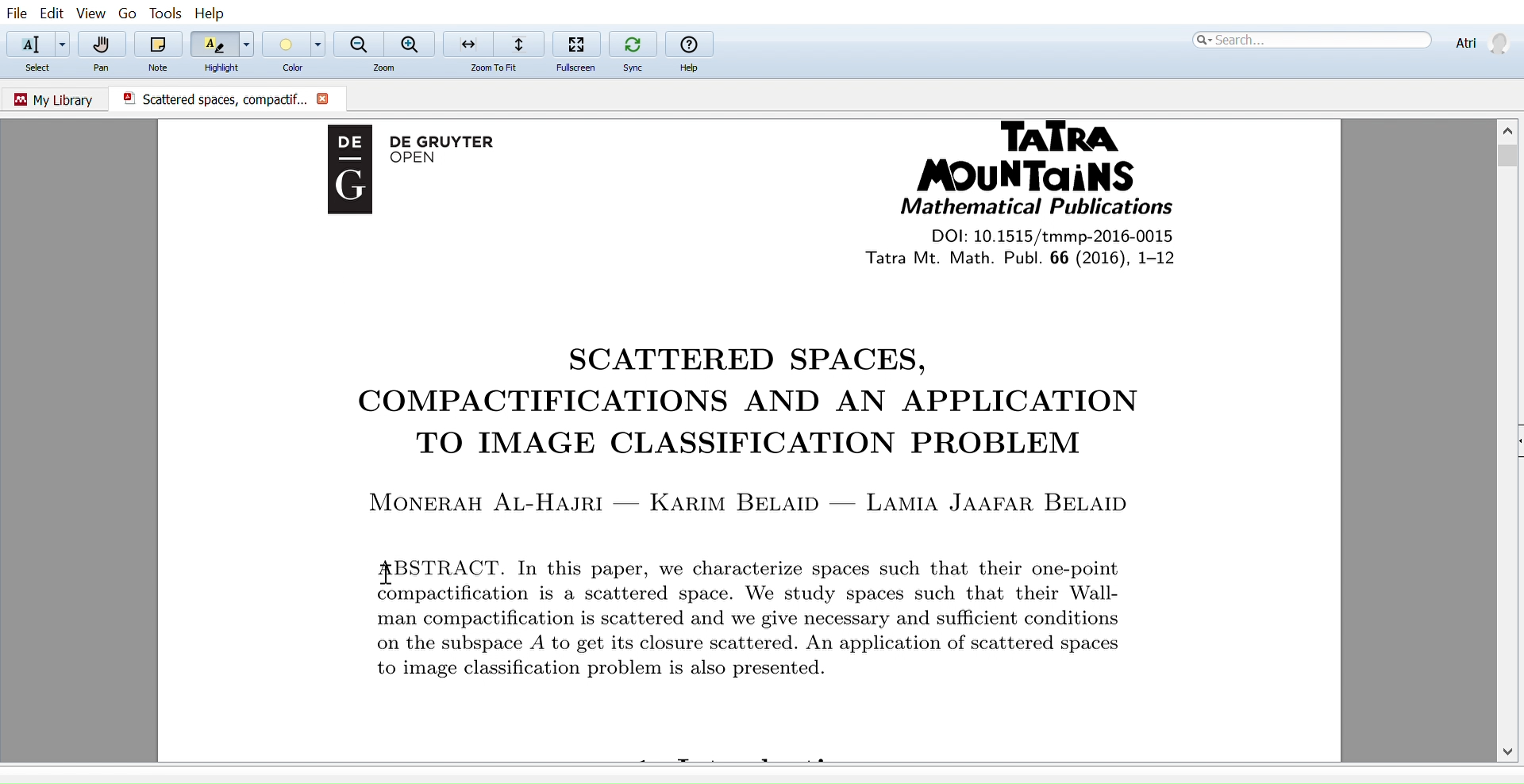 The width and height of the screenshot is (1524, 784). I want to click on tatra Mt. Math Publi. 66 (2016), 1-12 , so click(1054, 258).